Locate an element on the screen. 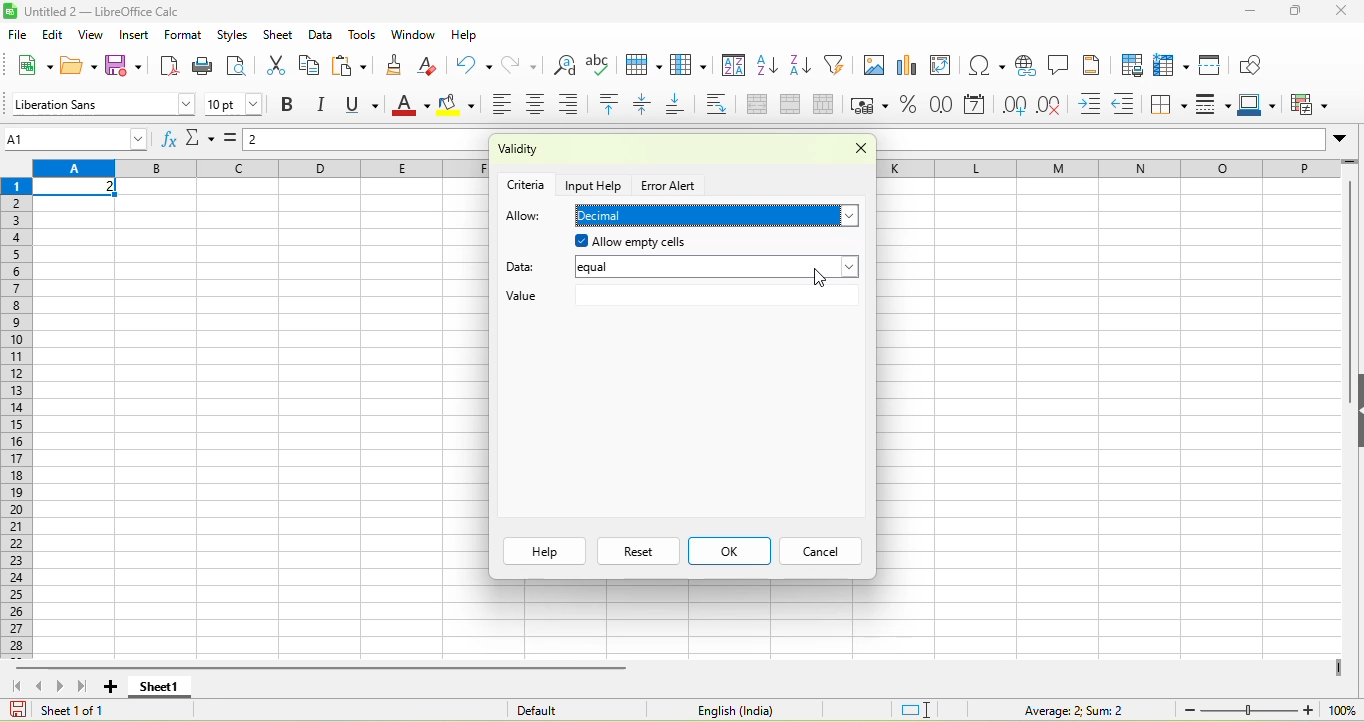 The width and height of the screenshot is (1364, 722). italics is located at coordinates (326, 105).